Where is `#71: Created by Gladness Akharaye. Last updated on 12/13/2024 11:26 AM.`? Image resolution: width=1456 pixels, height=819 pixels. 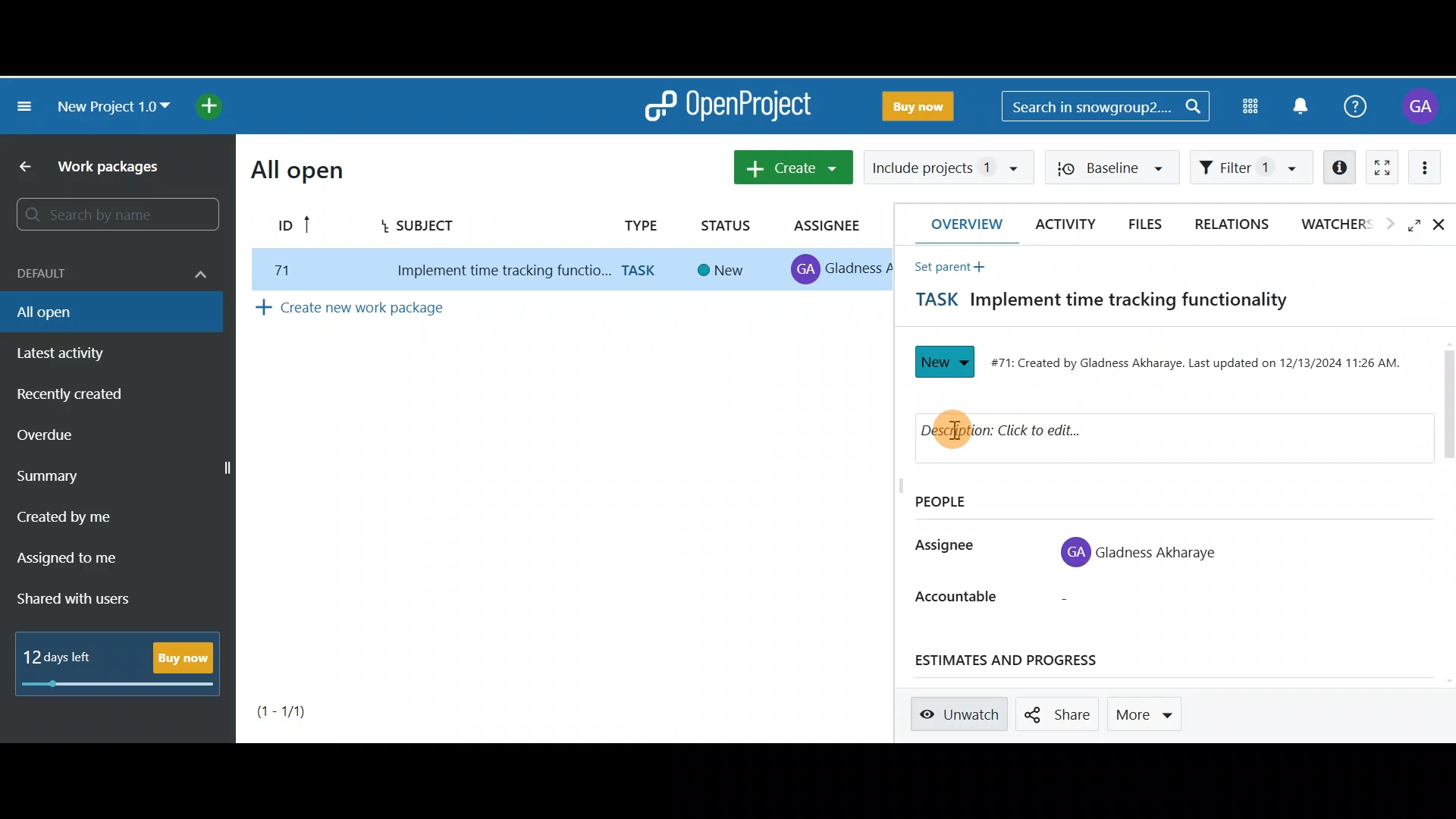 #71: Created by Gladness Akharaye. Last updated on 12/13/2024 11:26 AM. is located at coordinates (1200, 363).